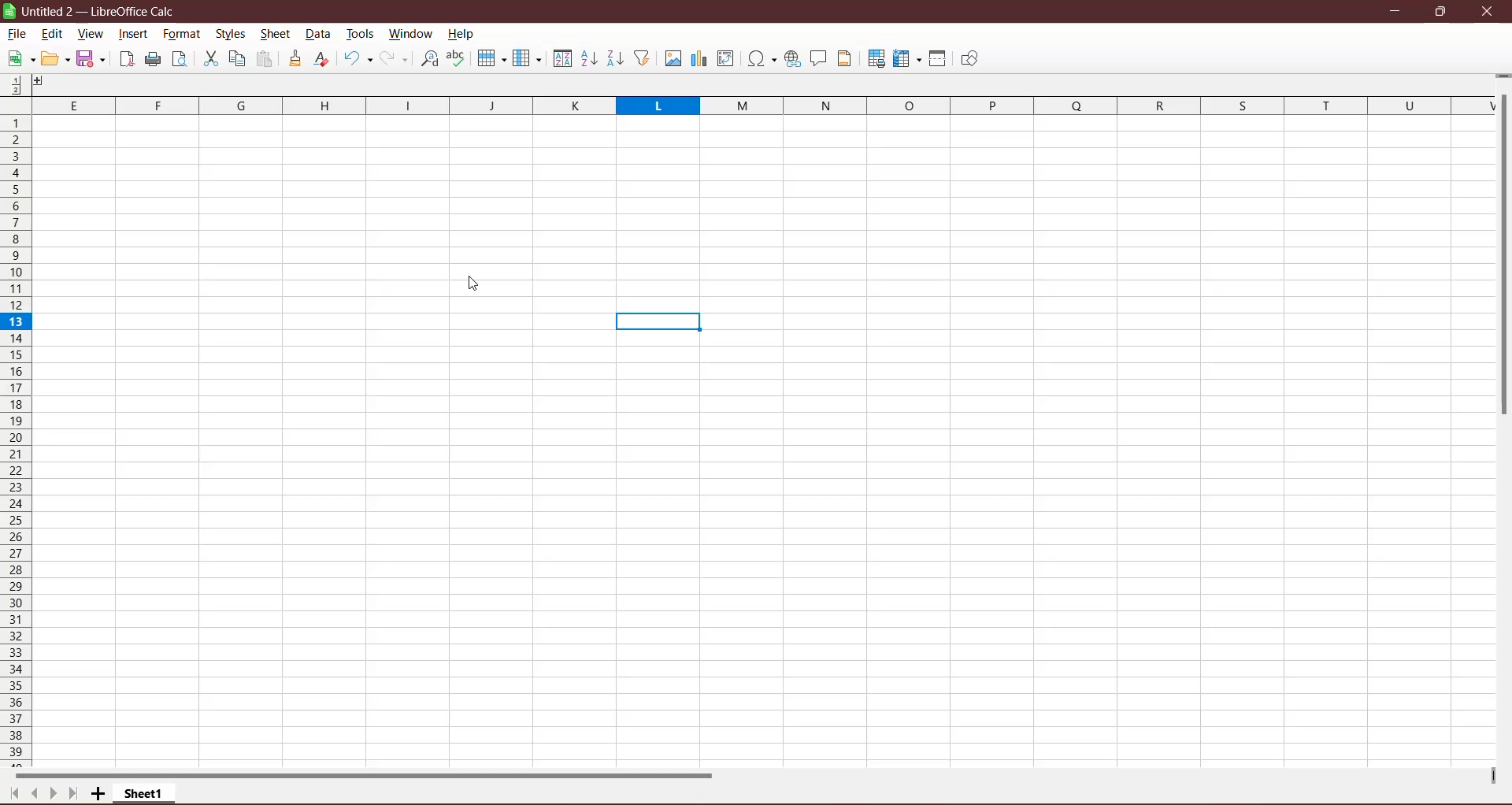 Image resolution: width=1512 pixels, height=805 pixels. Describe the element at coordinates (146, 793) in the screenshot. I see `Sheet Name` at that location.